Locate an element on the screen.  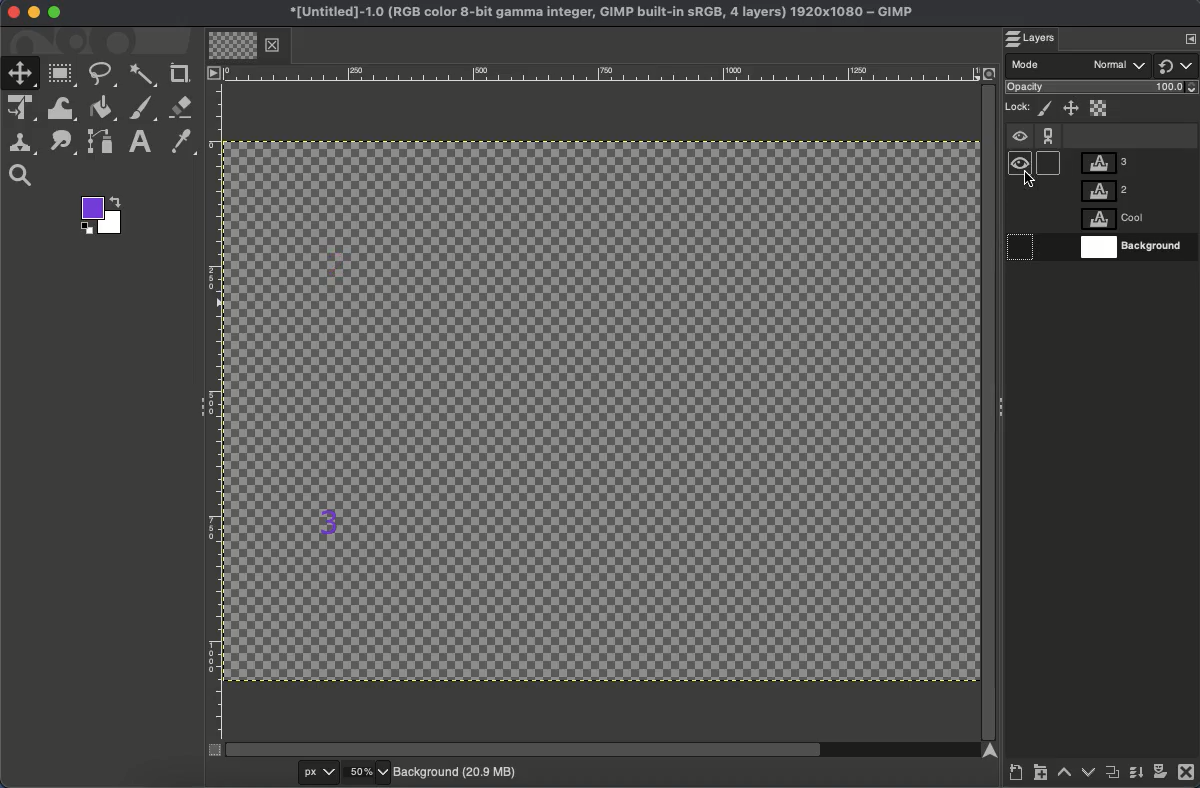
Raise layer is located at coordinates (1065, 777).